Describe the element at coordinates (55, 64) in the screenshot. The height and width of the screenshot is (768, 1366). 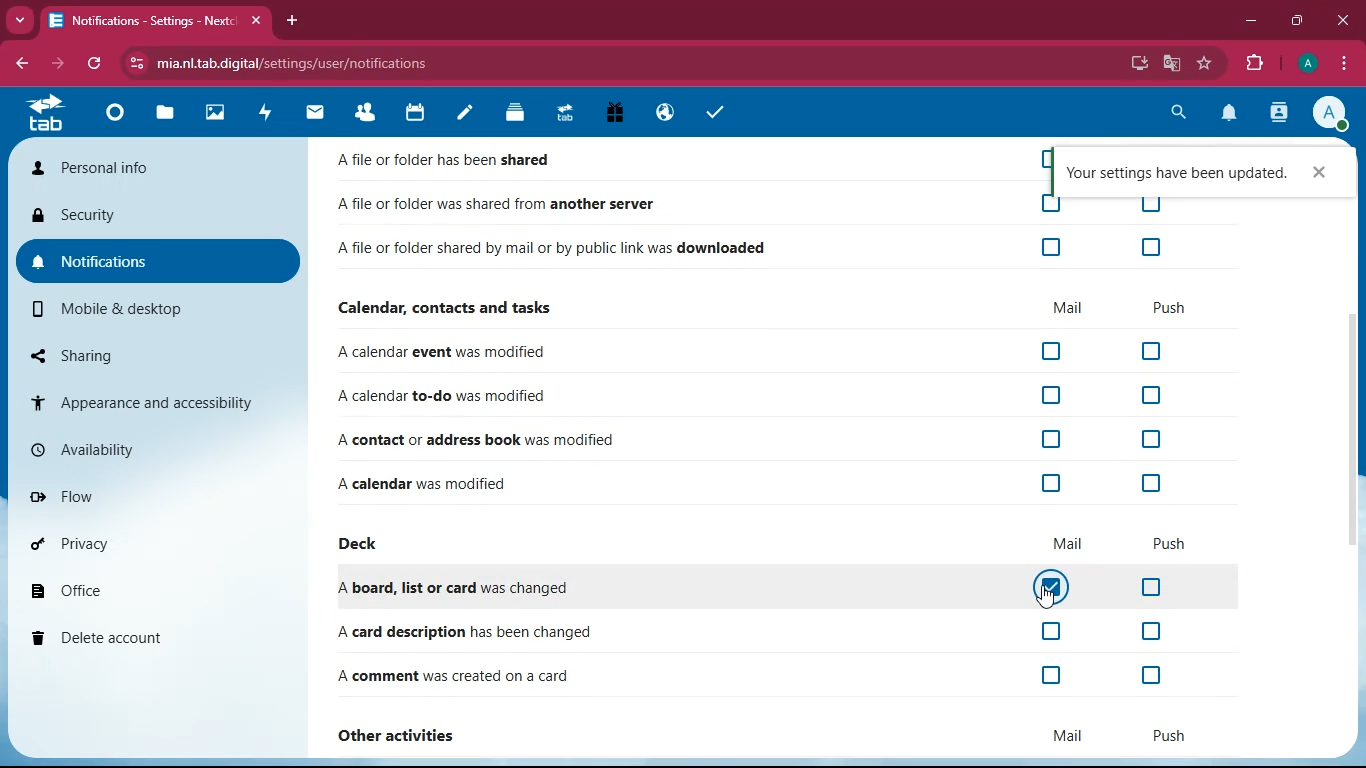
I see `forward` at that location.